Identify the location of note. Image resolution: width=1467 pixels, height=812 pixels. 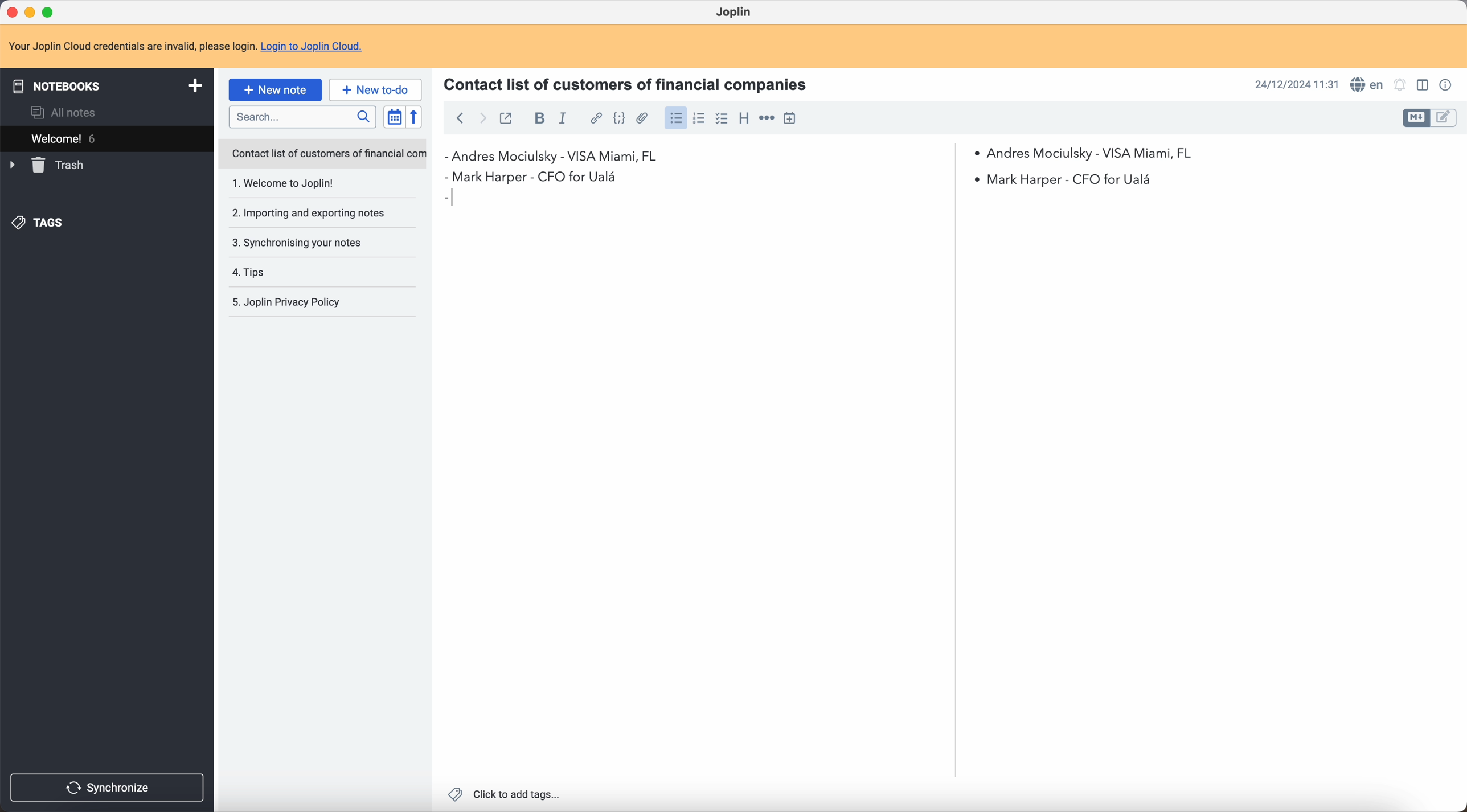
(185, 44).